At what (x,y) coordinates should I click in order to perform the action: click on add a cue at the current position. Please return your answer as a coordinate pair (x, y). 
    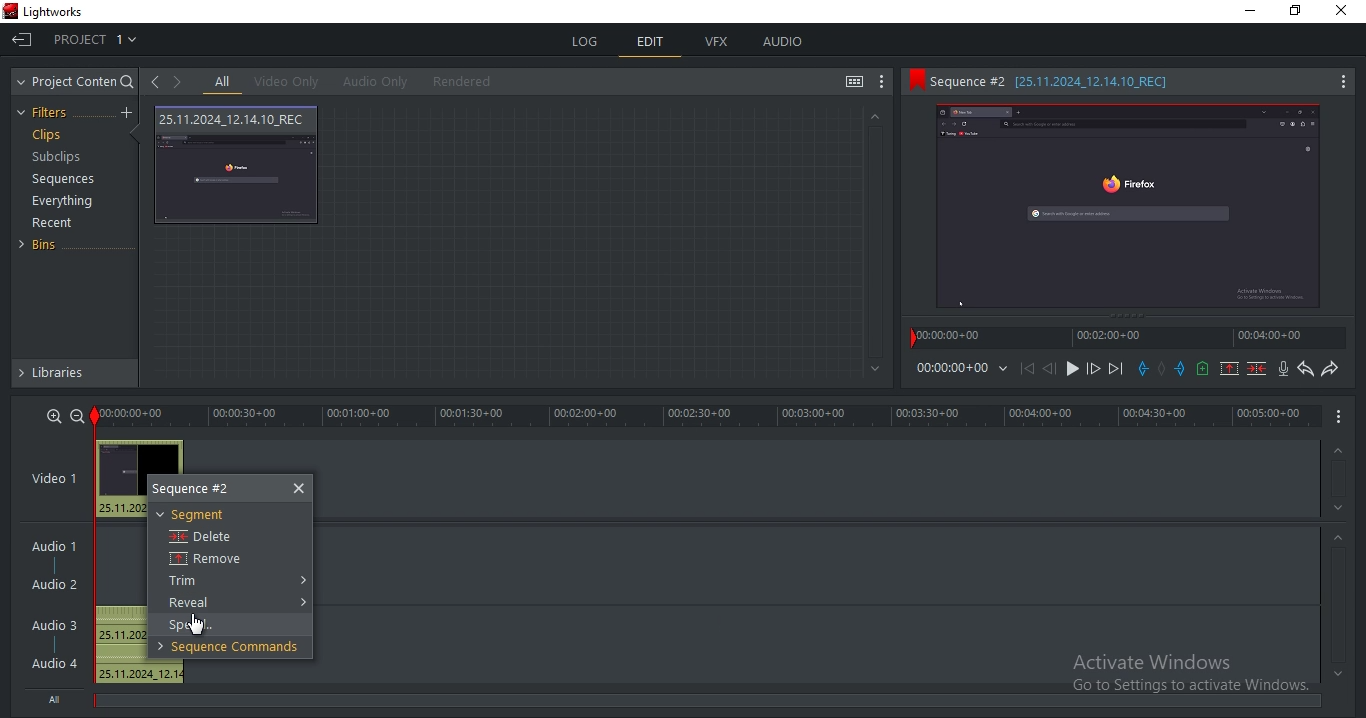
    Looking at the image, I should click on (1202, 368).